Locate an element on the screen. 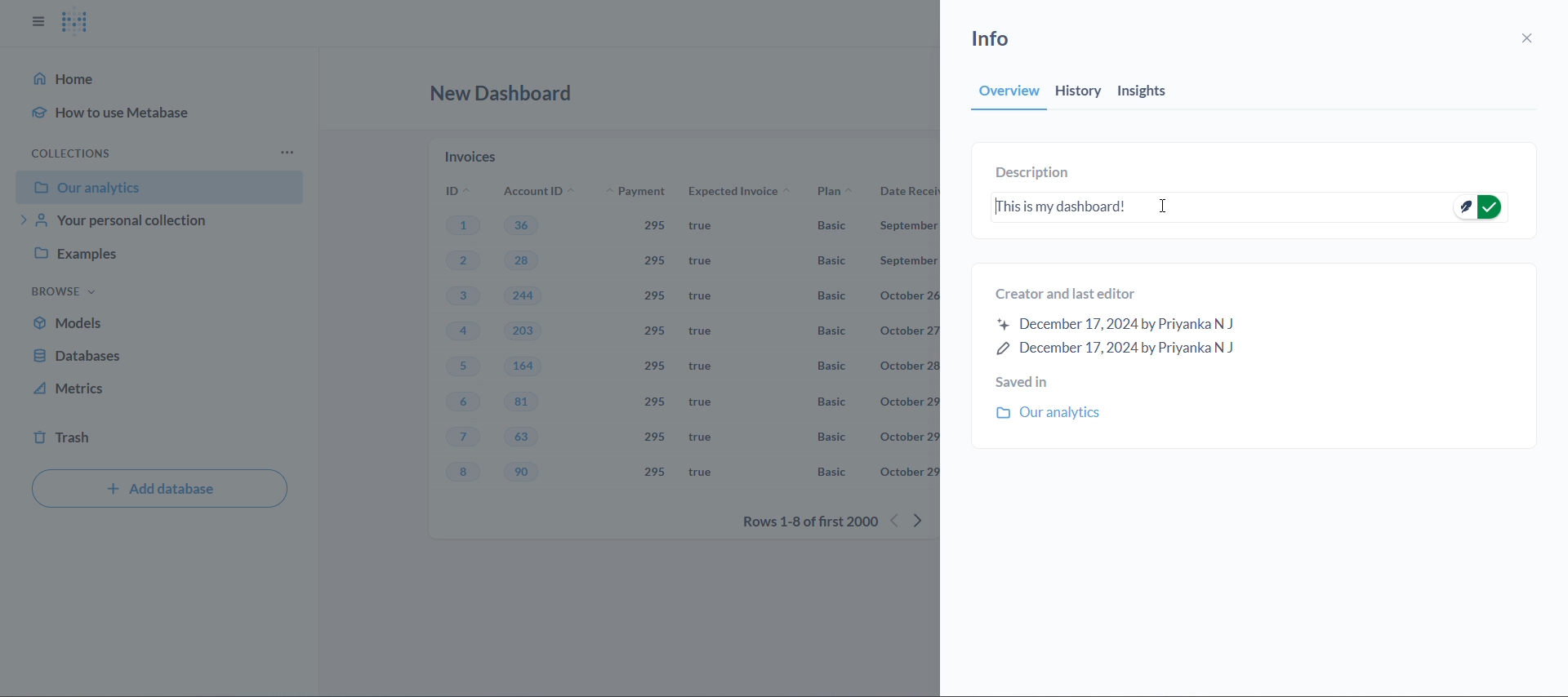 Image resolution: width=1568 pixels, height=697 pixels. 295 is located at coordinates (651, 227).